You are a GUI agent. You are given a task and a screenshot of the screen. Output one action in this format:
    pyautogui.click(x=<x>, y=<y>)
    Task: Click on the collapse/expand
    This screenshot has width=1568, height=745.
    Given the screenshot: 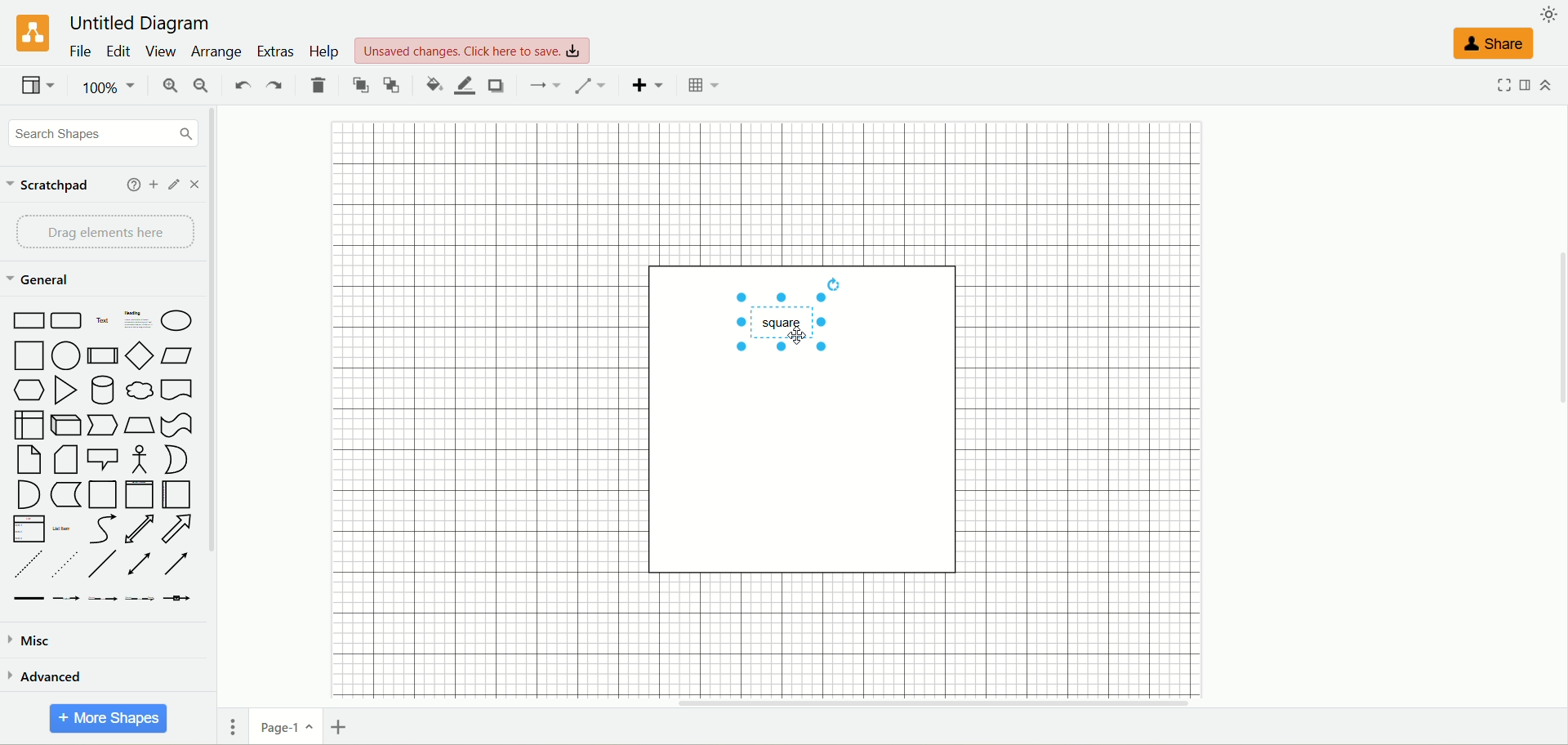 What is the action you would take?
    pyautogui.click(x=1545, y=86)
    